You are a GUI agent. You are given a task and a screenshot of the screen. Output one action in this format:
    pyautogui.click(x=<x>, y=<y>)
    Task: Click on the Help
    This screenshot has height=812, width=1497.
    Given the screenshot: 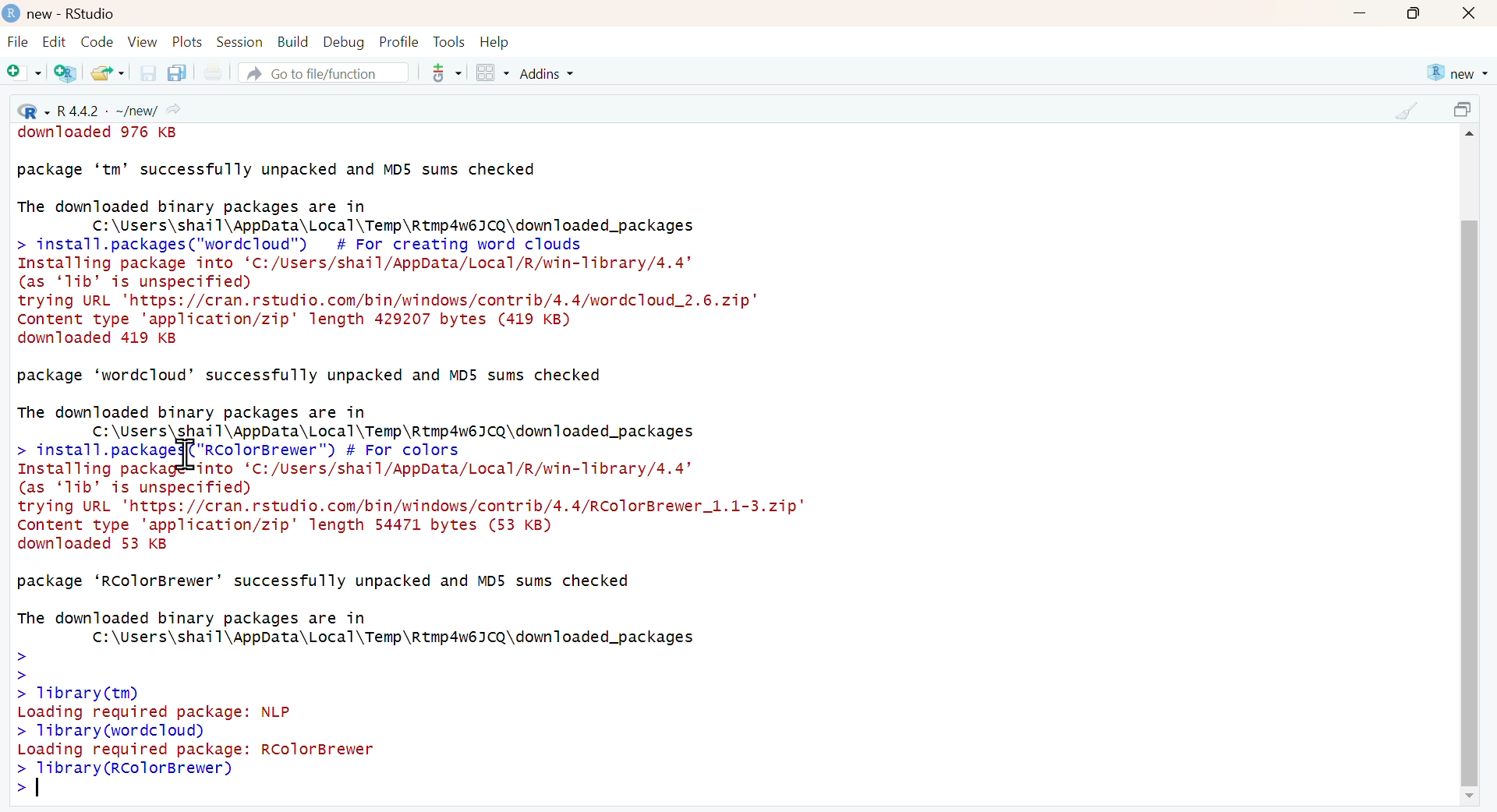 What is the action you would take?
    pyautogui.click(x=495, y=42)
    